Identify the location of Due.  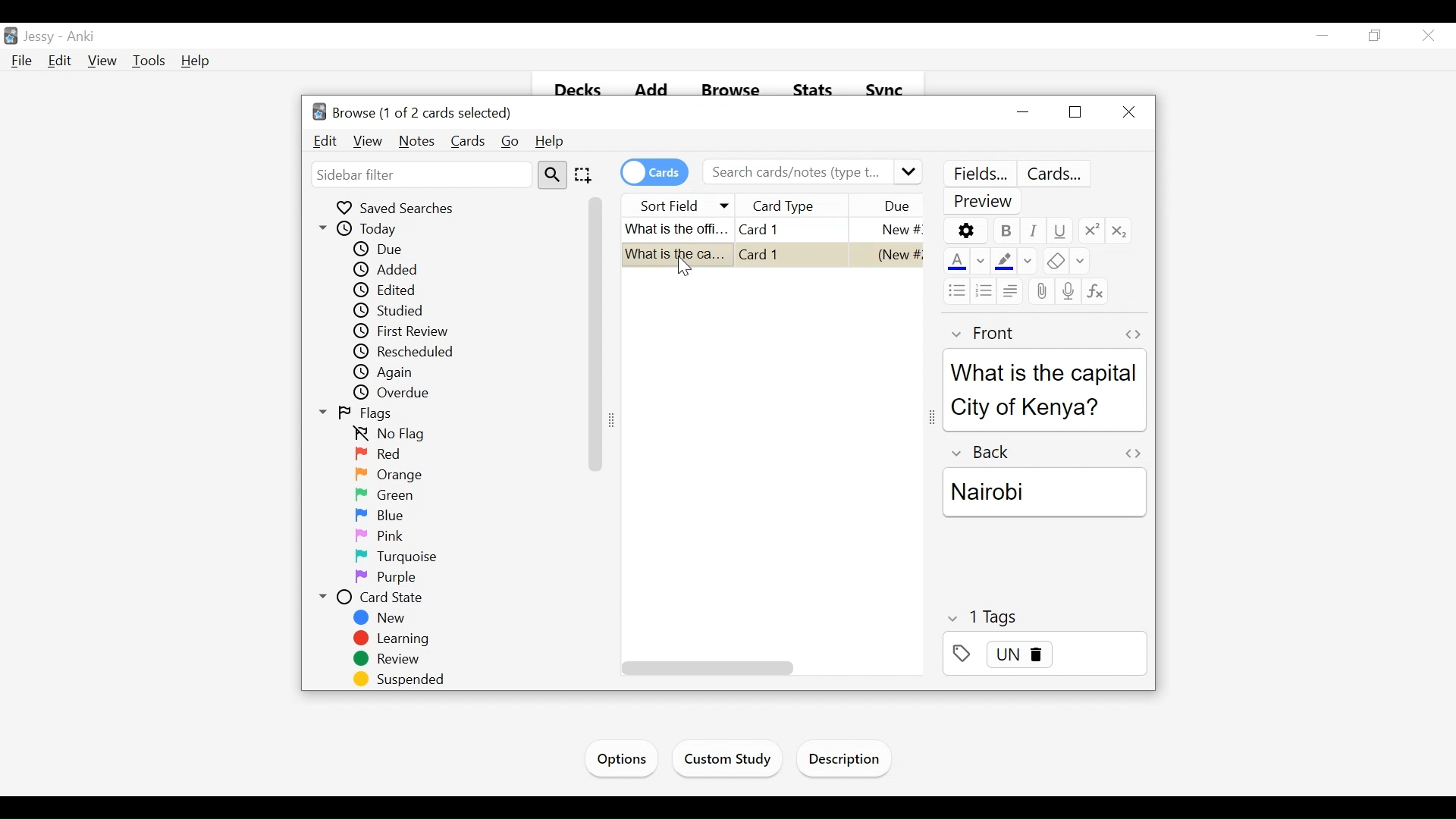
(896, 206).